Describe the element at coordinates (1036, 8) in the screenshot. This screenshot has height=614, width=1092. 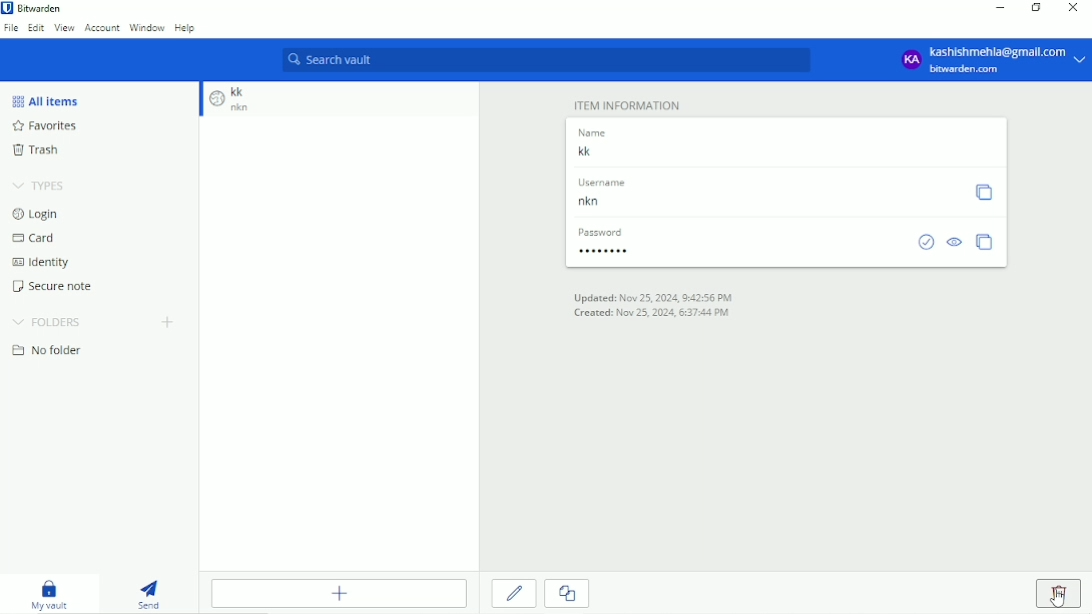
I see `Restore down` at that location.